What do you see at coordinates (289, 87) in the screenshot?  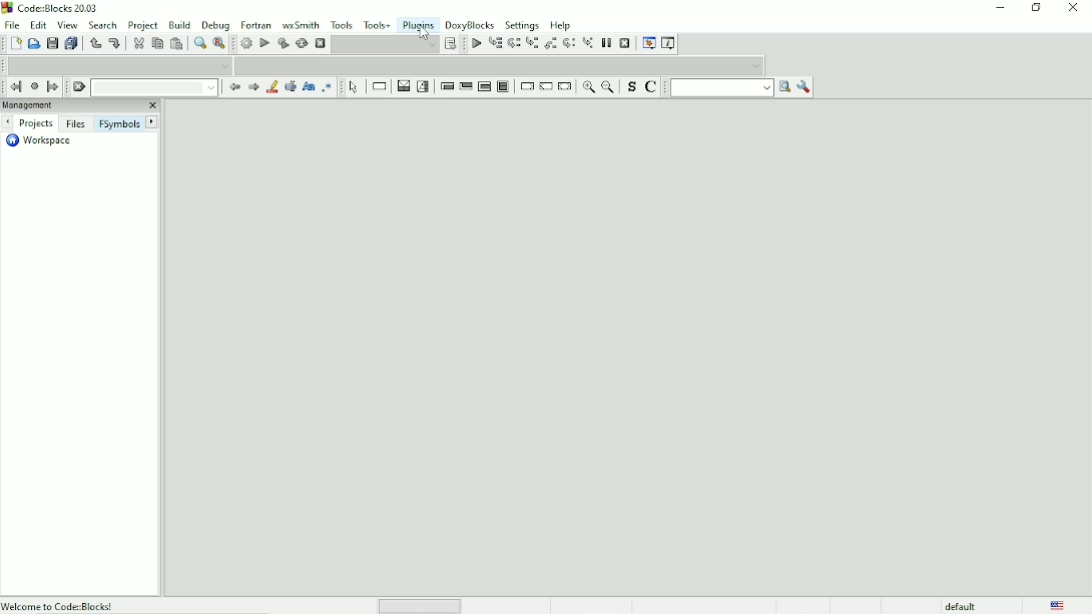 I see `Selected text` at bounding box center [289, 87].